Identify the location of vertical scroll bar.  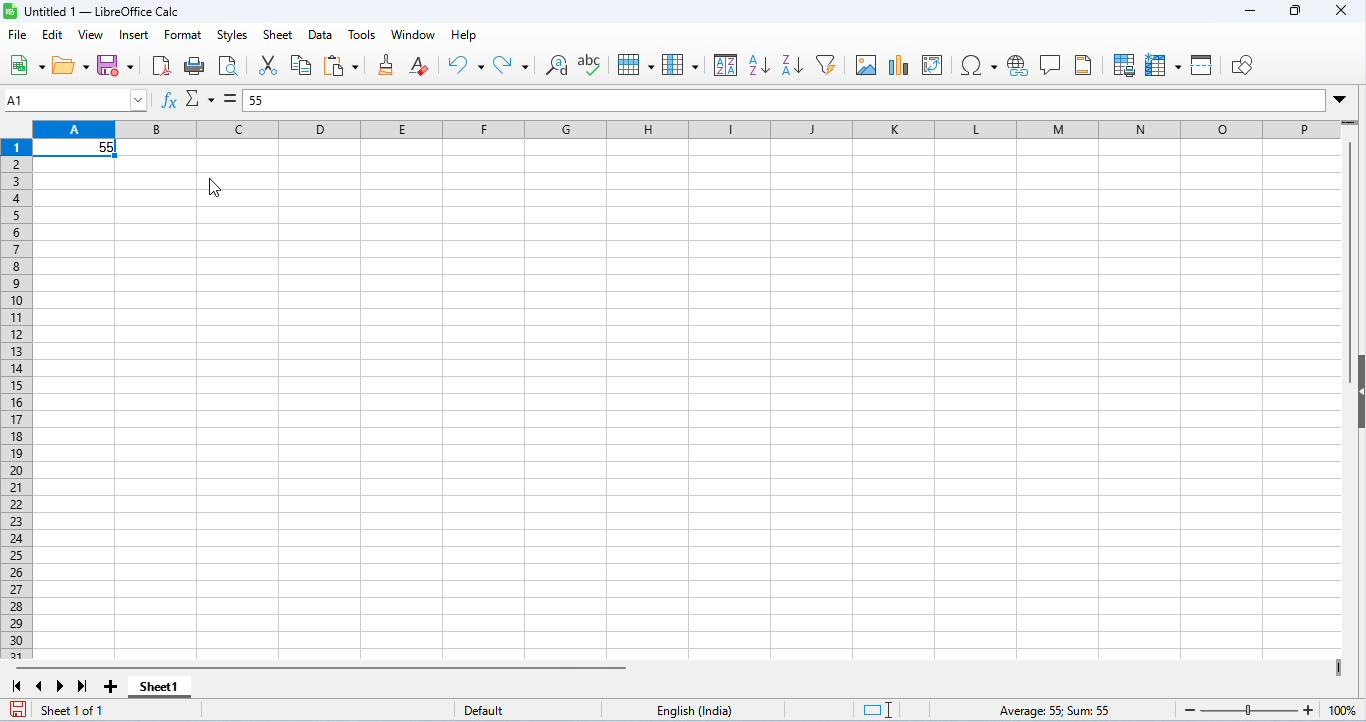
(1352, 245).